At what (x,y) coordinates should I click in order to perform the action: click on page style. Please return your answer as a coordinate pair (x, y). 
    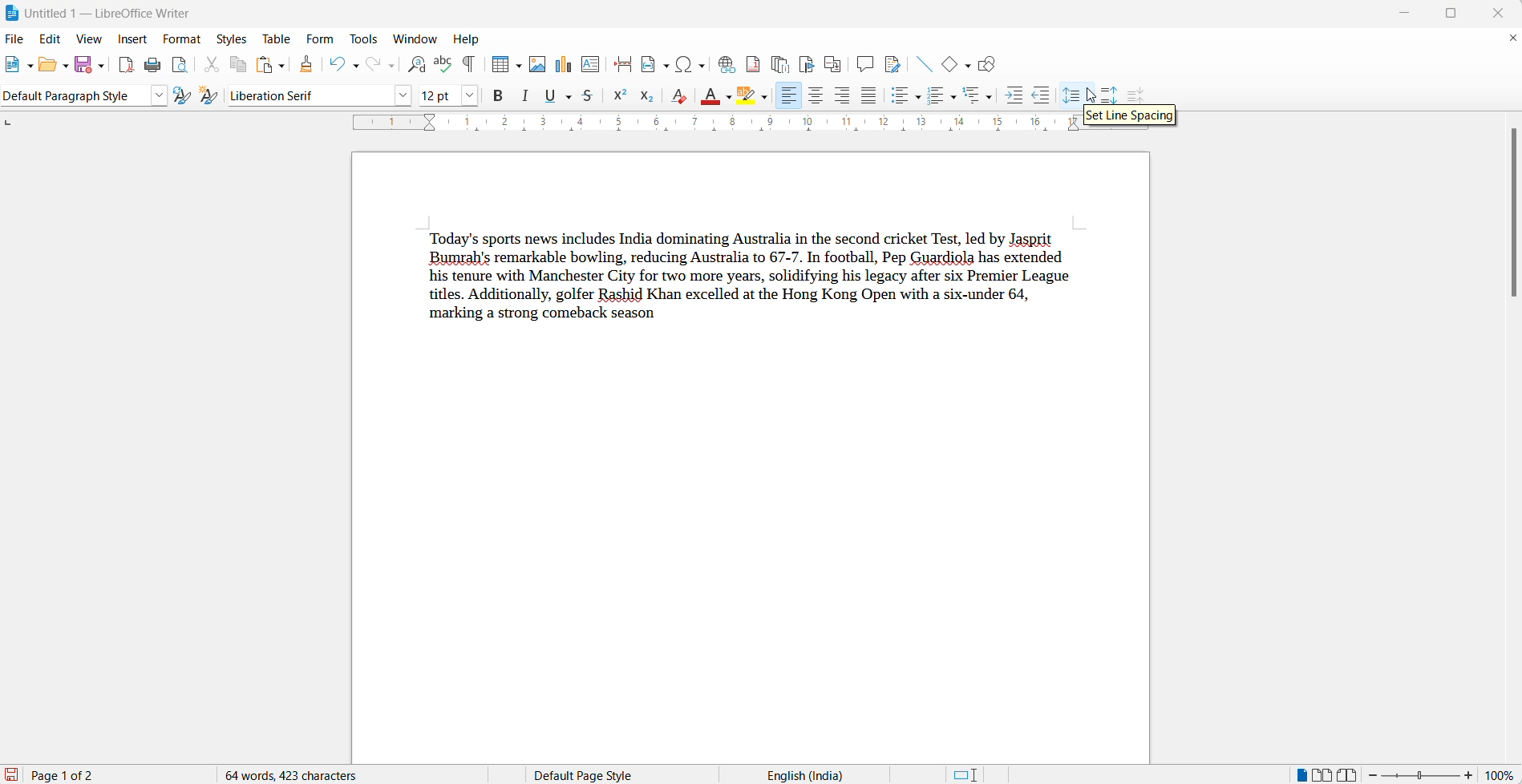
    Looking at the image, I should click on (589, 773).